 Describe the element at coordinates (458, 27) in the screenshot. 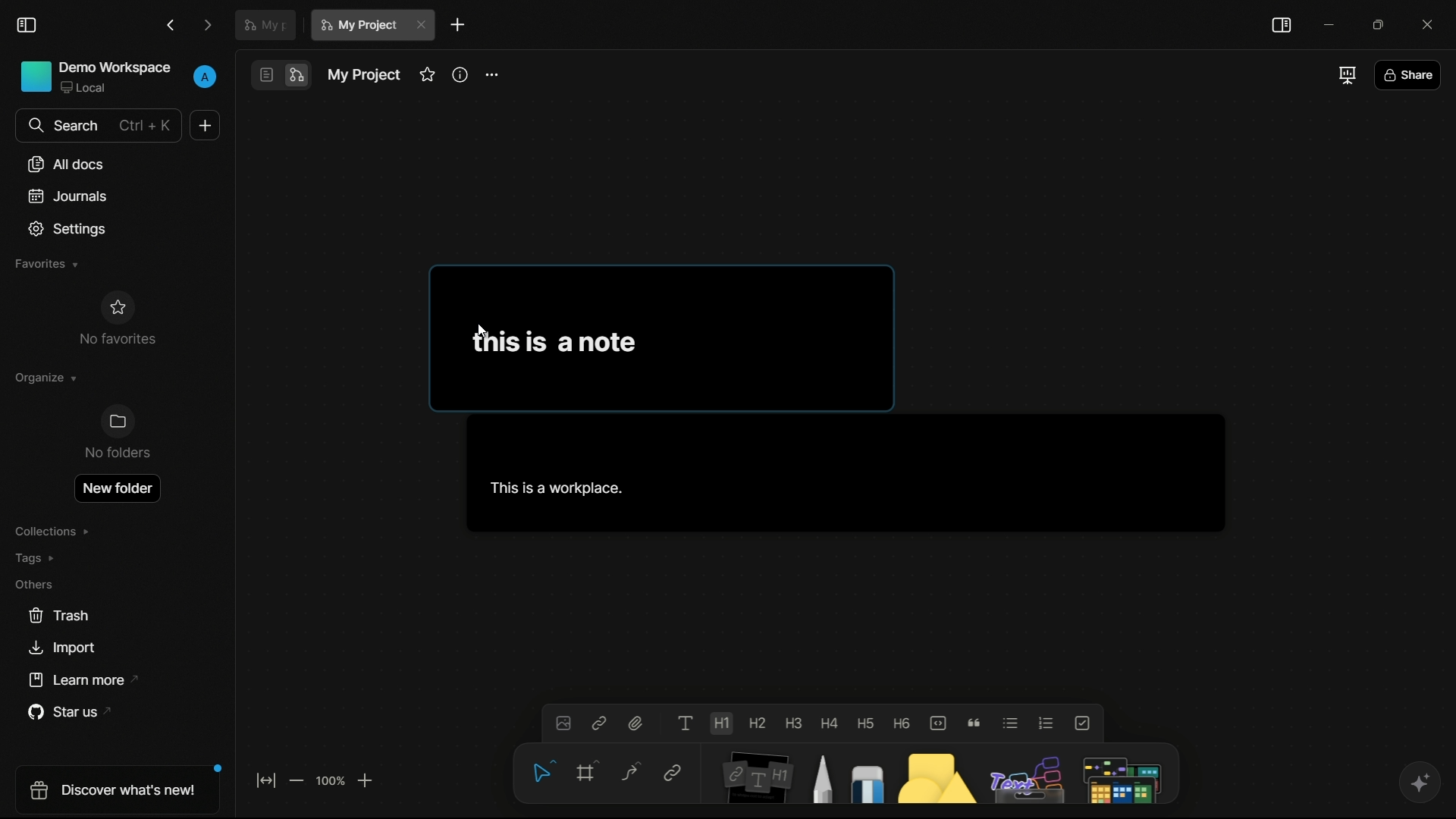

I see `new document` at that location.